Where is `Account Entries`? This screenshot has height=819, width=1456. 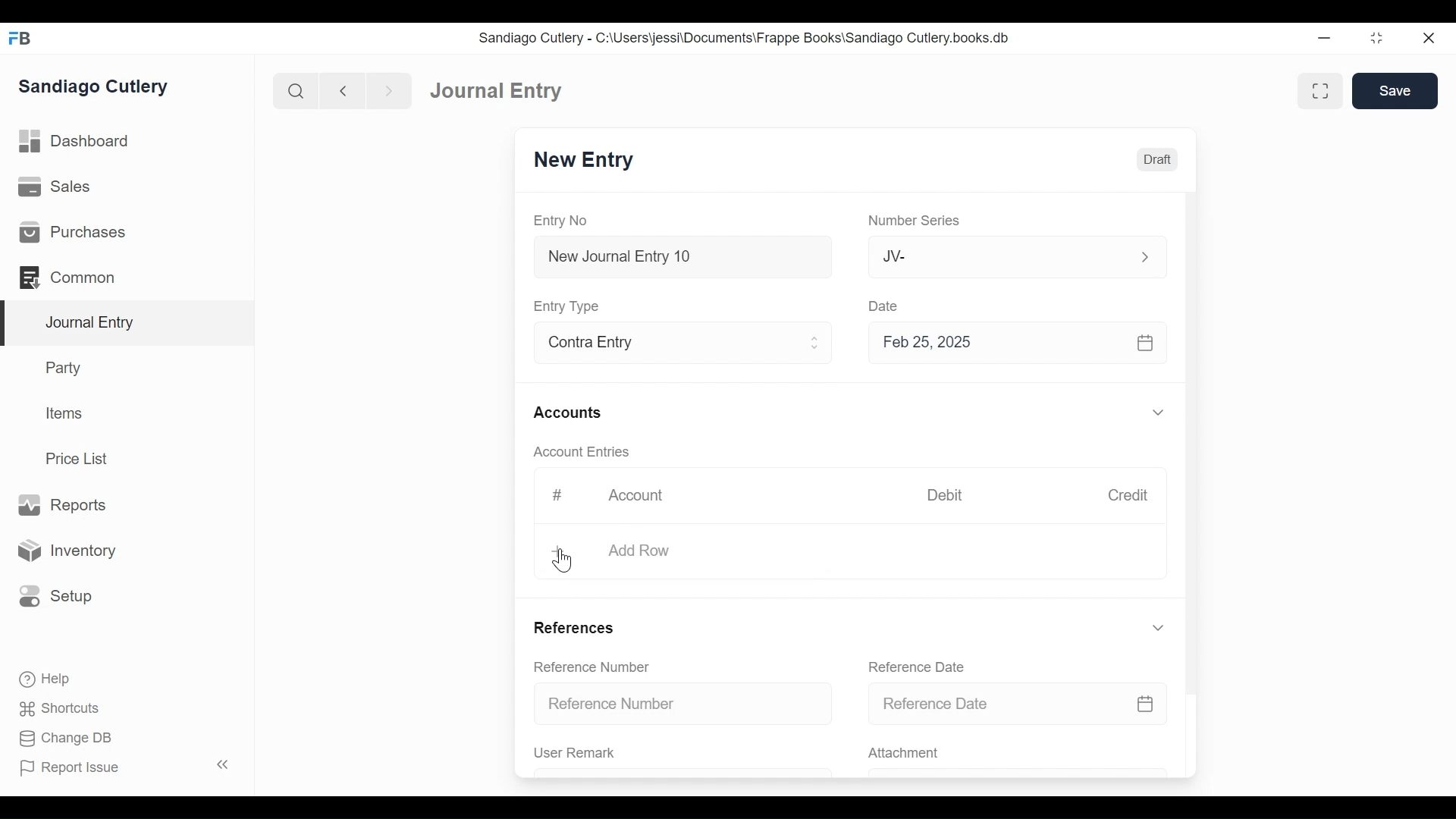 Account Entries is located at coordinates (588, 452).